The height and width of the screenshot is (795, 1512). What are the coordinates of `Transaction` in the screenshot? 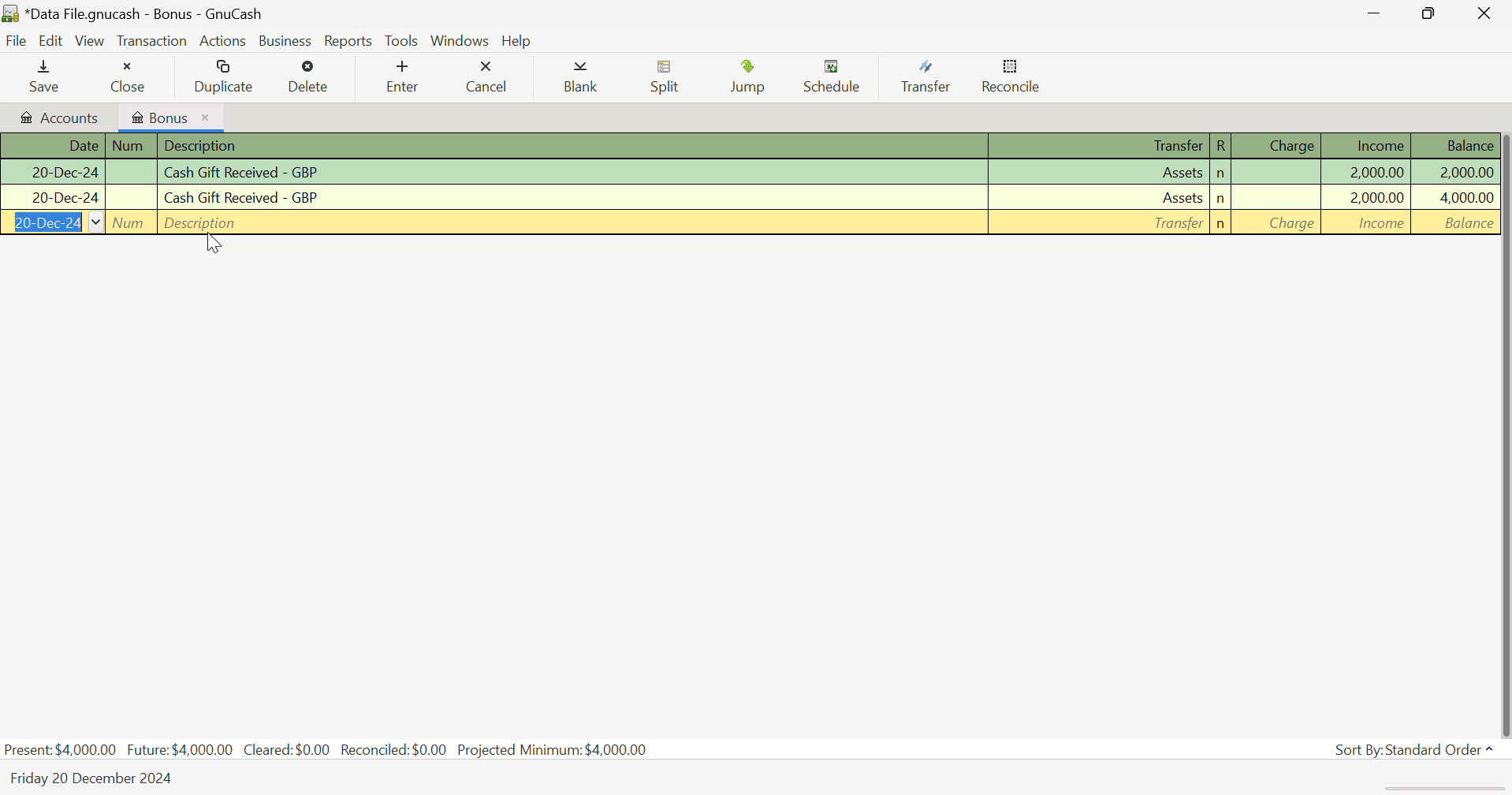 It's located at (151, 39).